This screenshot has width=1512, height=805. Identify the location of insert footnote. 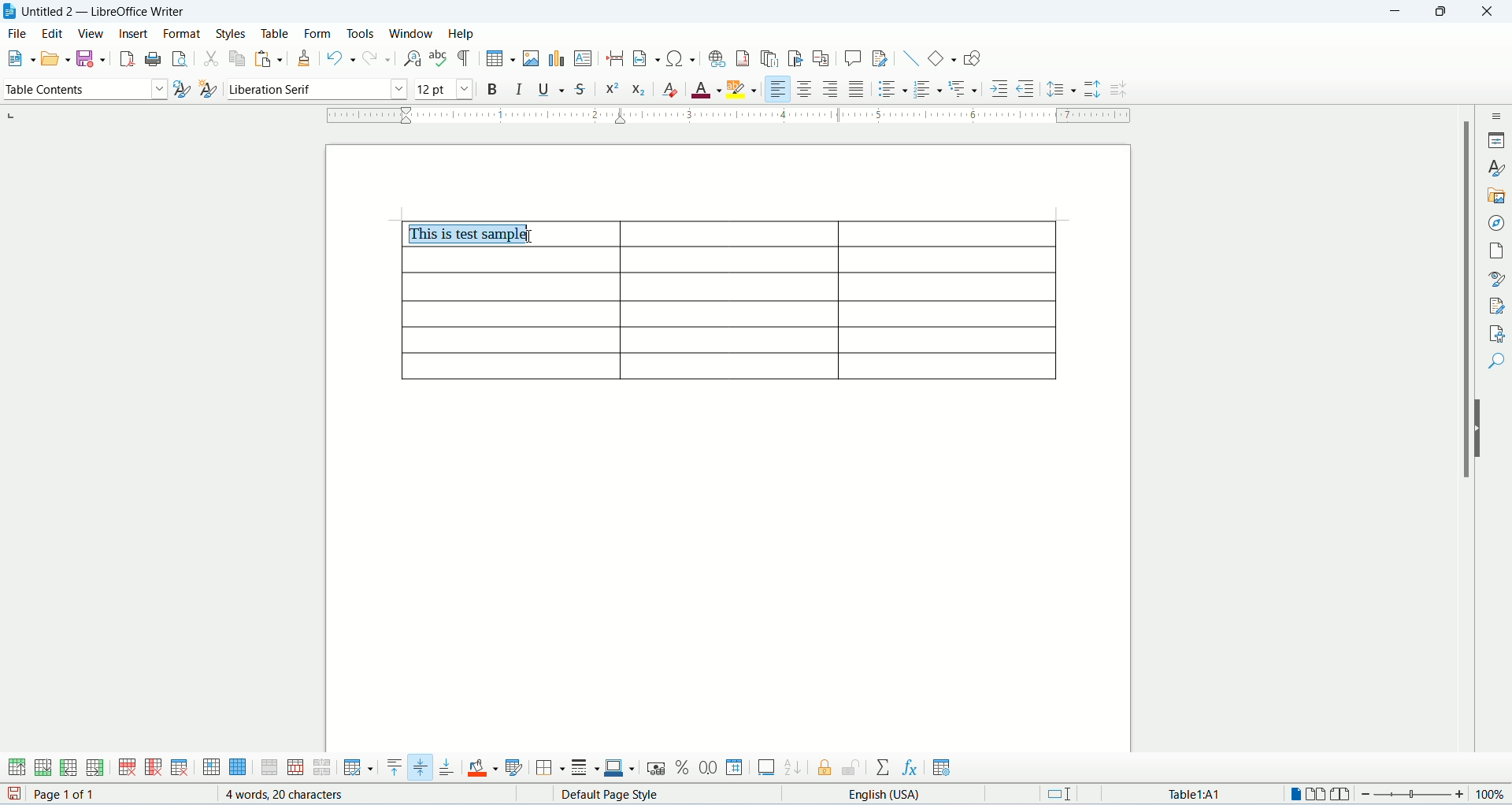
(743, 57).